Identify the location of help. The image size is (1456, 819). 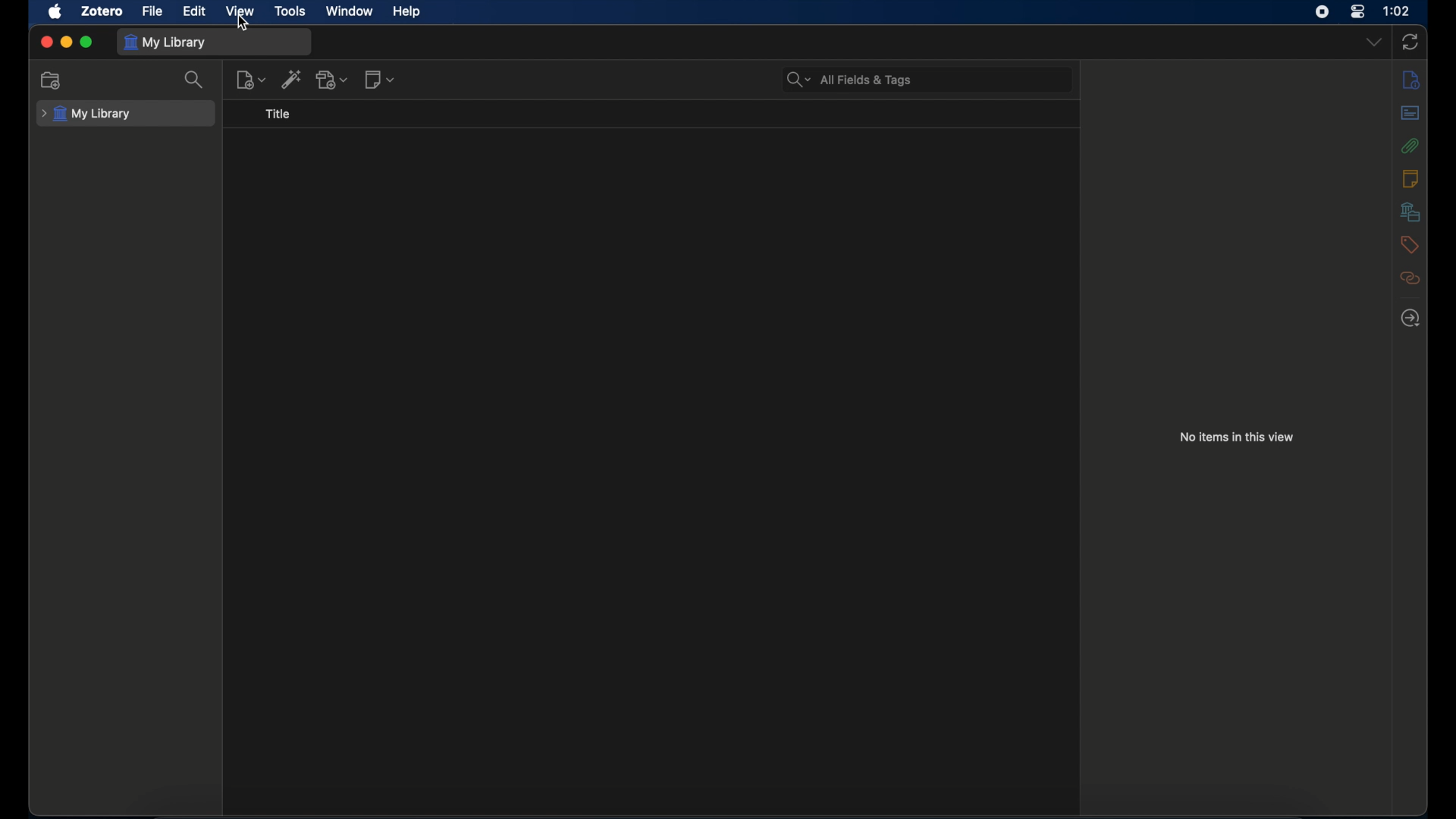
(406, 12).